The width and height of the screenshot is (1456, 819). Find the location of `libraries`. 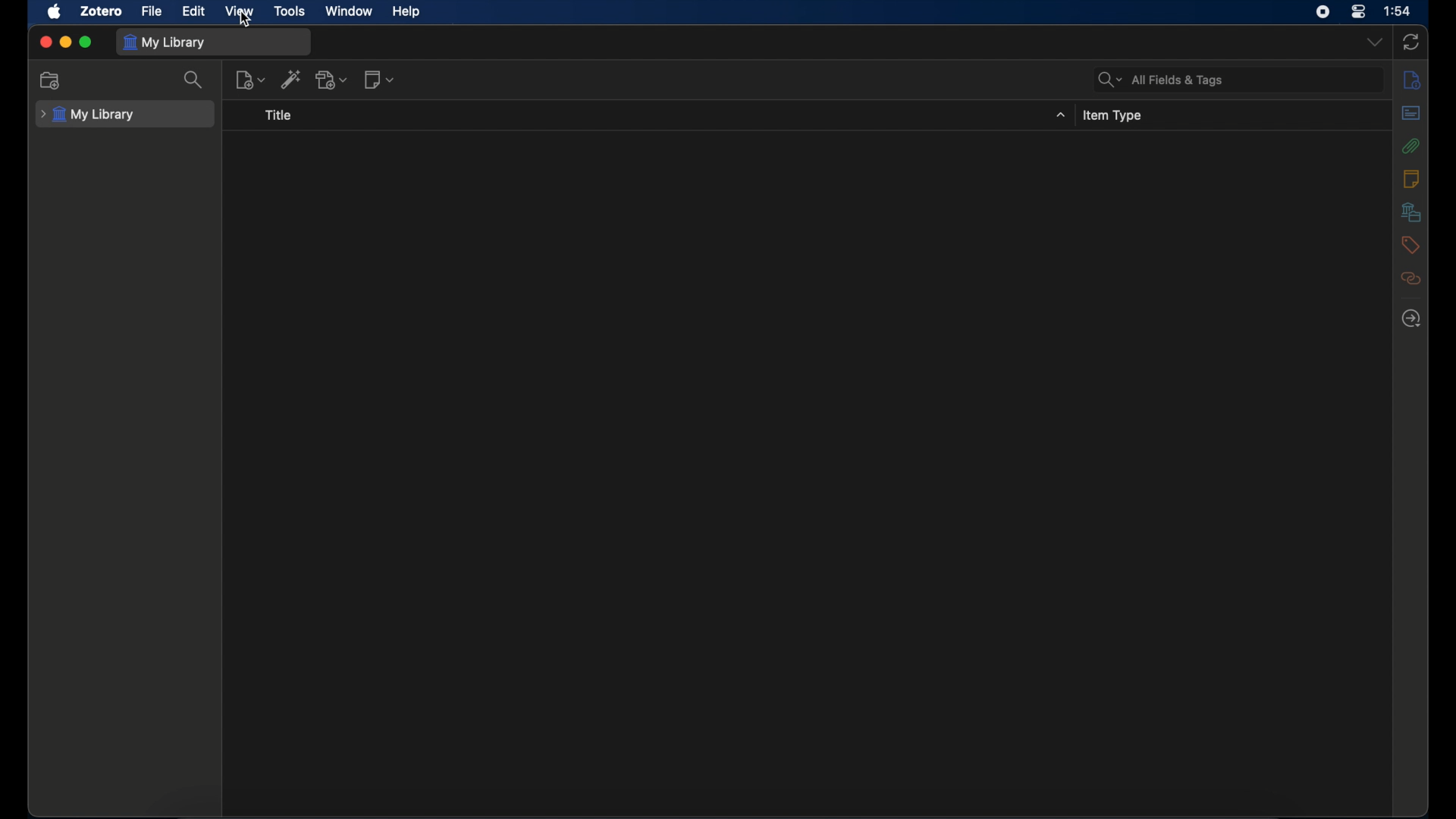

libraries is located at coordinates (1410, 212).